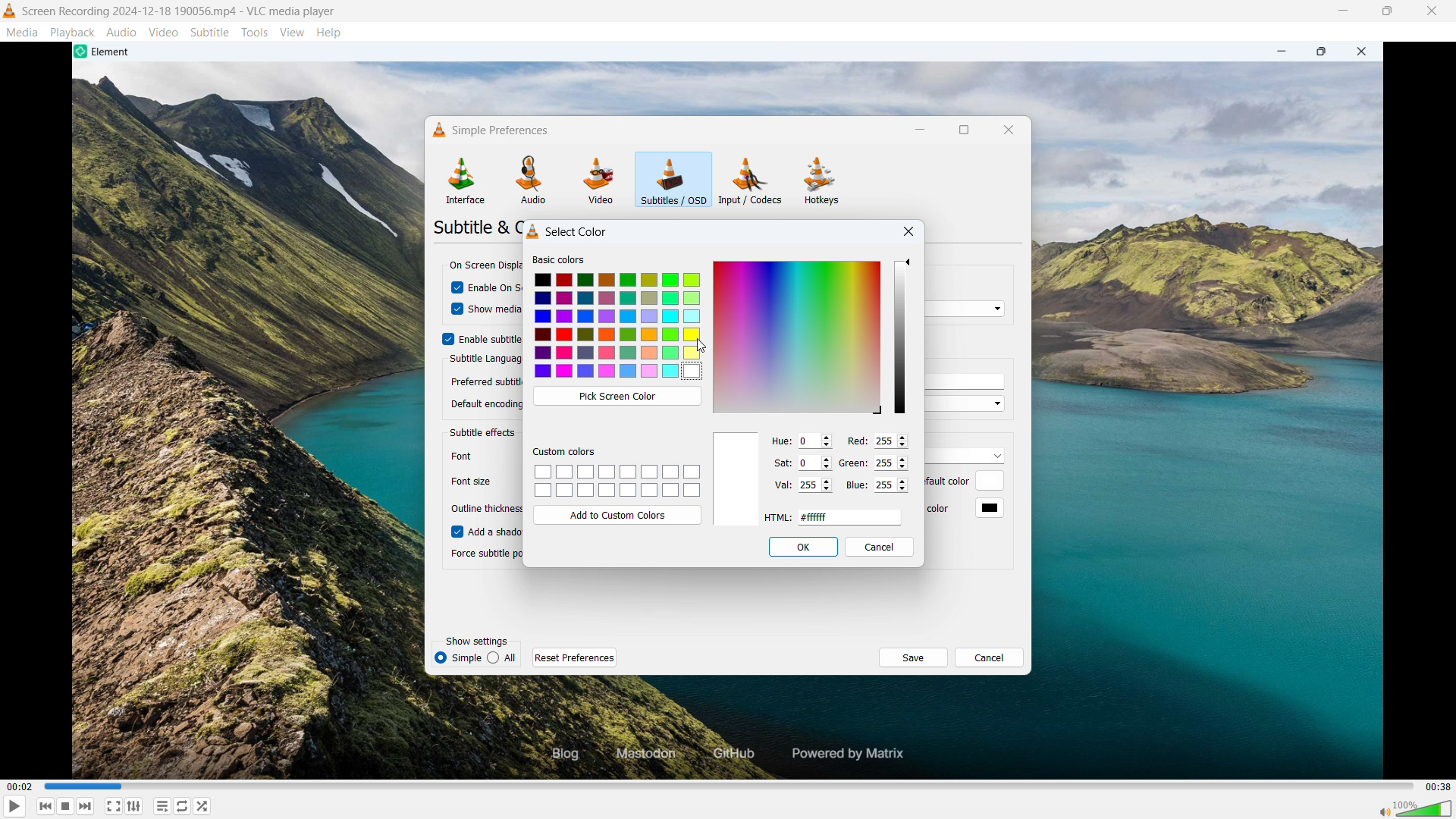 The image size is (1456, 819). What do you see at coordinates (457, 658) in the screenshot?
I see `simple ` at bounding box center [457, 658].